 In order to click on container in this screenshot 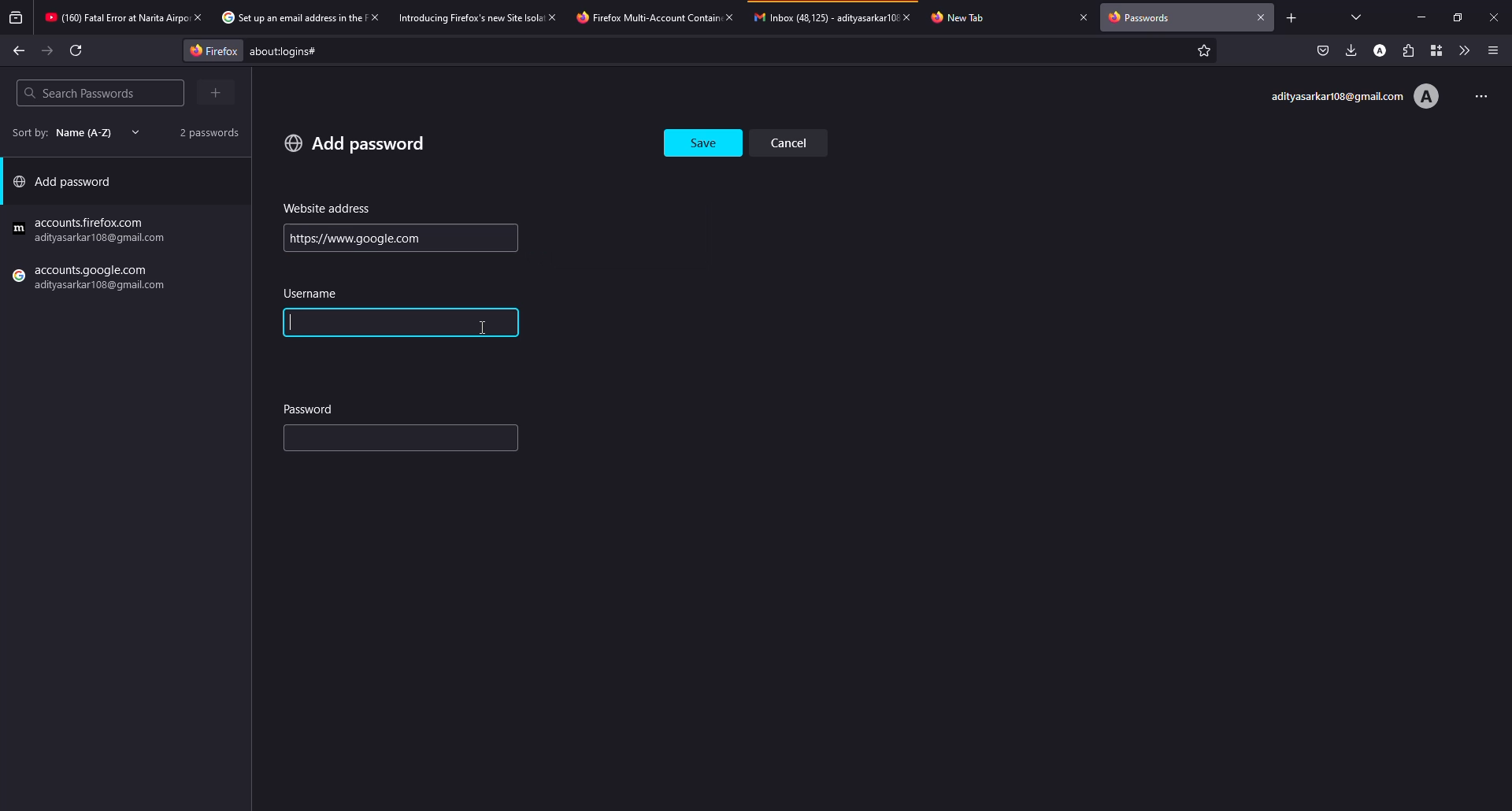, I will do `click(1432, 50)`.